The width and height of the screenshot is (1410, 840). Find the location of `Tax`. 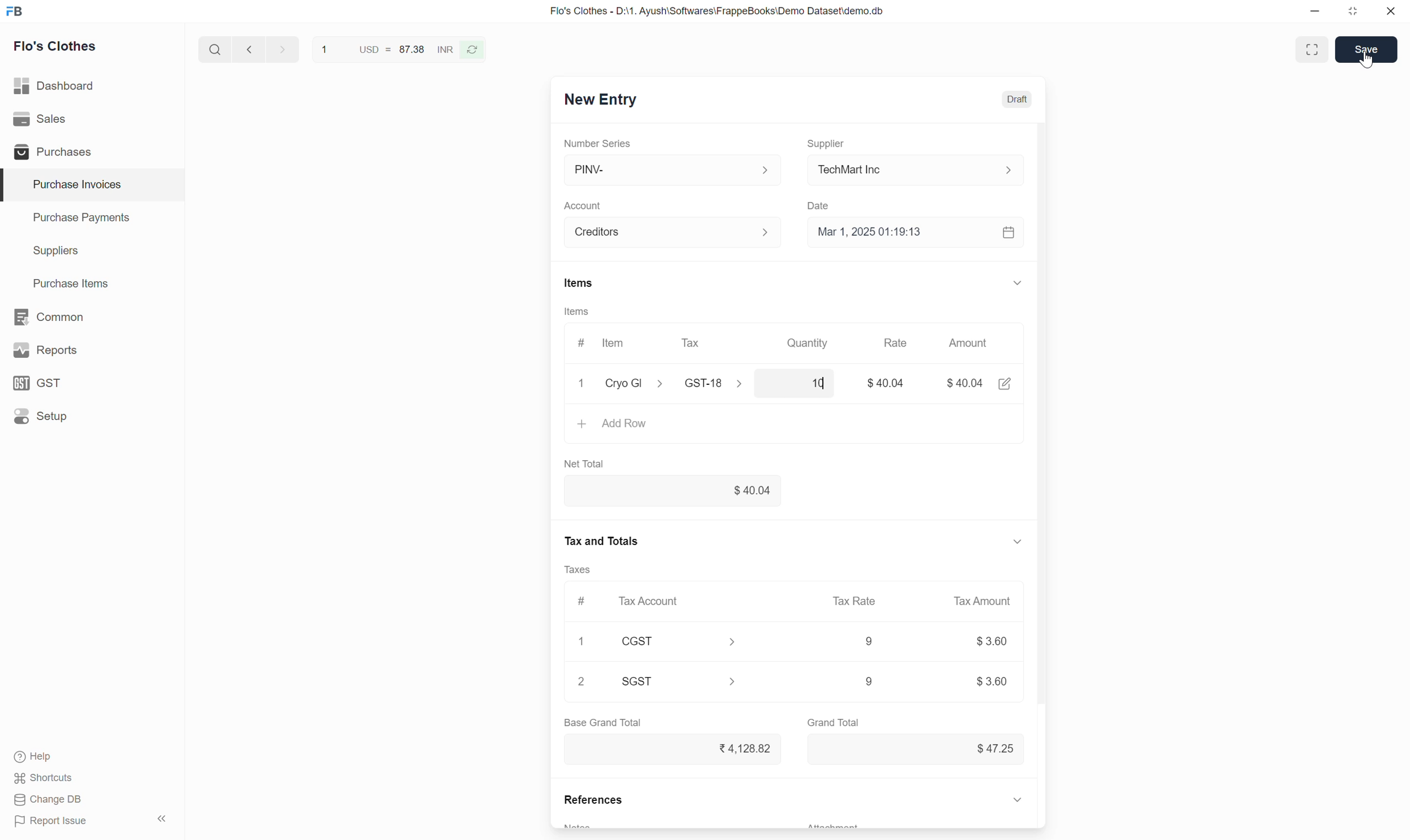

Tax is located at coordinates (694, 342).